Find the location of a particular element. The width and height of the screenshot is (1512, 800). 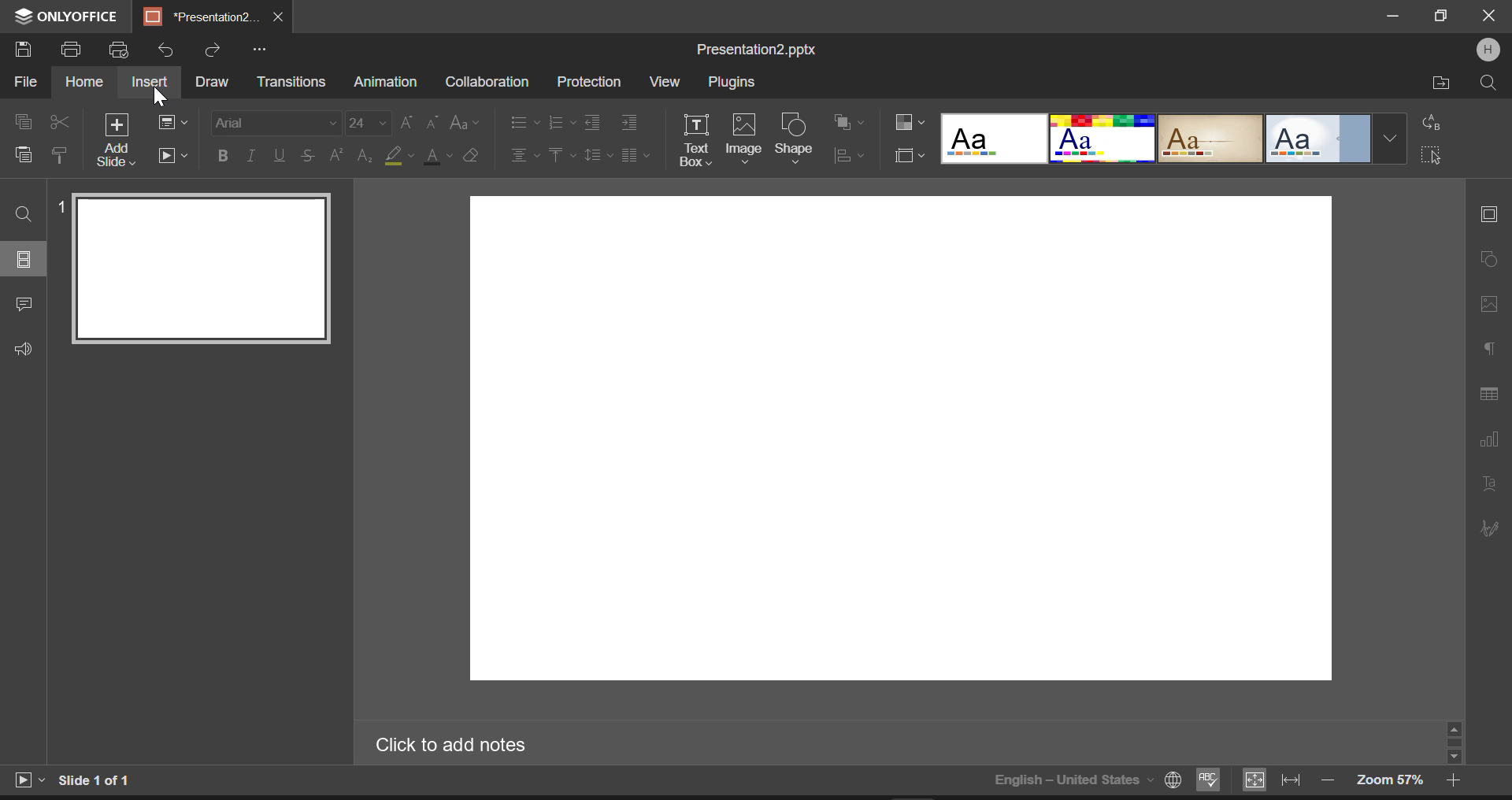

Align Shape is located at coordinates (850, 158).